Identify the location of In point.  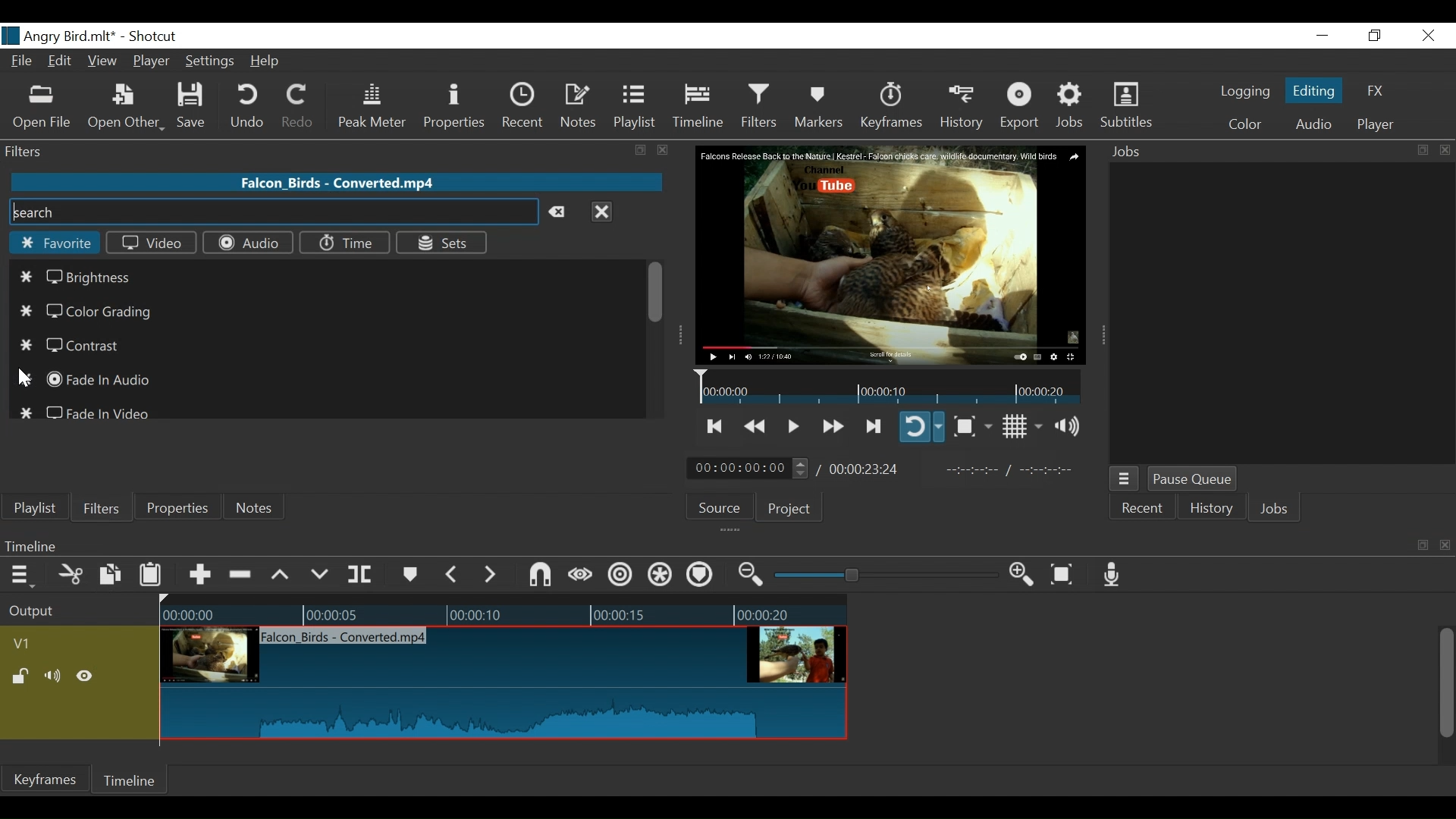
(1015, 470).